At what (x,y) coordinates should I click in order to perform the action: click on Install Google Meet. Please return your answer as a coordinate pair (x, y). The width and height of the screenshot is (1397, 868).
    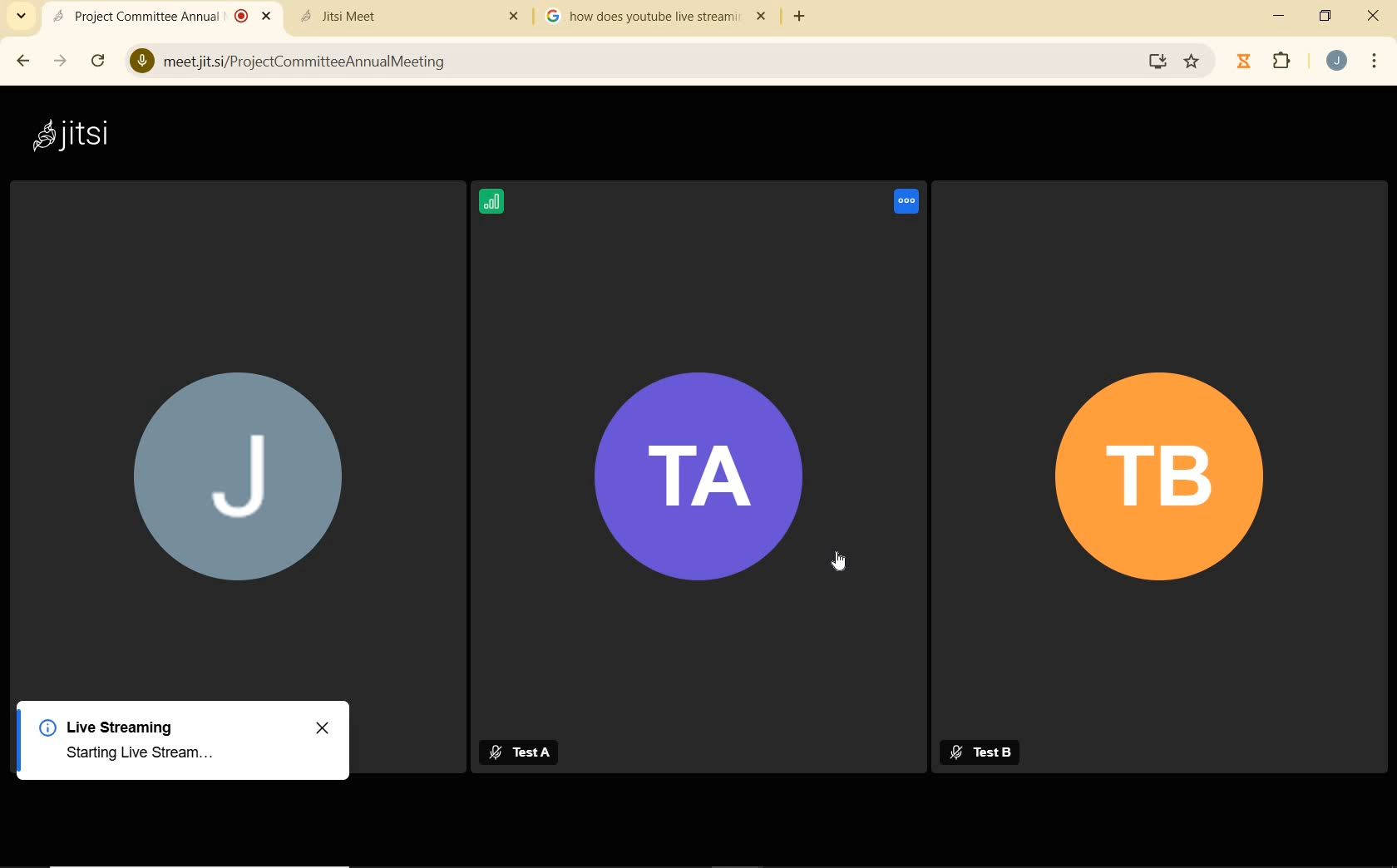
    Looking at the image, I should click on (1158, 62).